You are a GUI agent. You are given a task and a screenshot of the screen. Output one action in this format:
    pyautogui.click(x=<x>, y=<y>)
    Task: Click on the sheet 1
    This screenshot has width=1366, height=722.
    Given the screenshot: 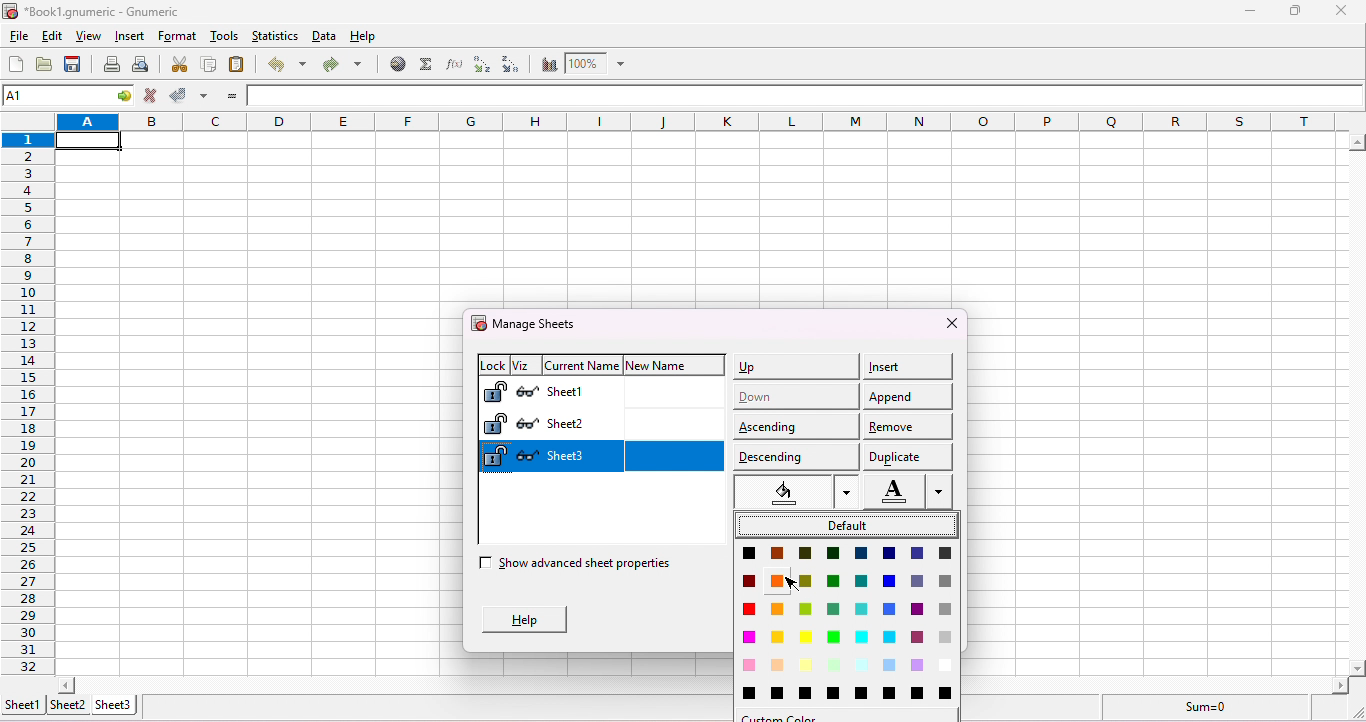 What is the action you would take?
    pyautogui.click(x=632, y=394)
    